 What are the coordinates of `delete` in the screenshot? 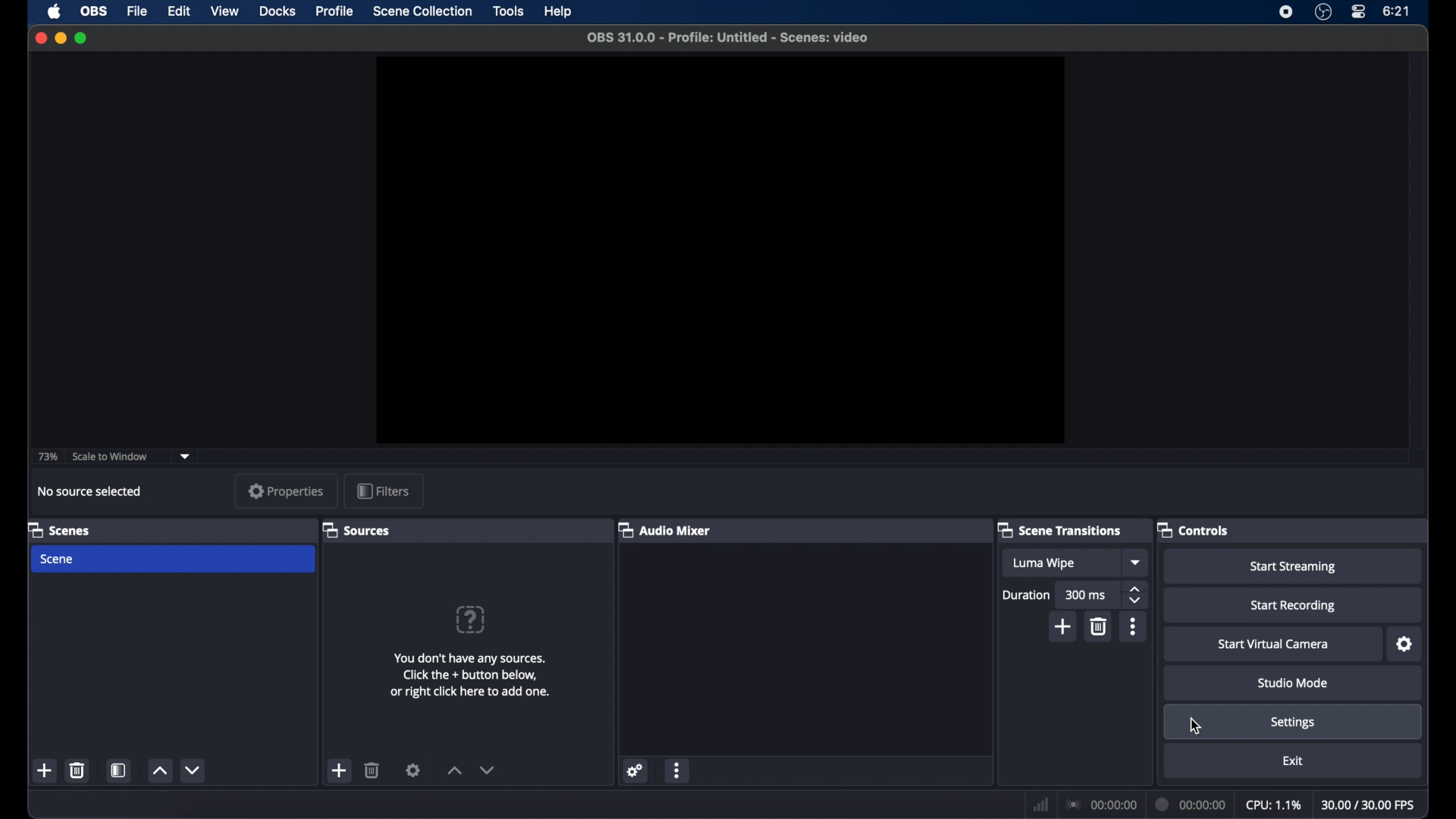 It's located at (372, 770).